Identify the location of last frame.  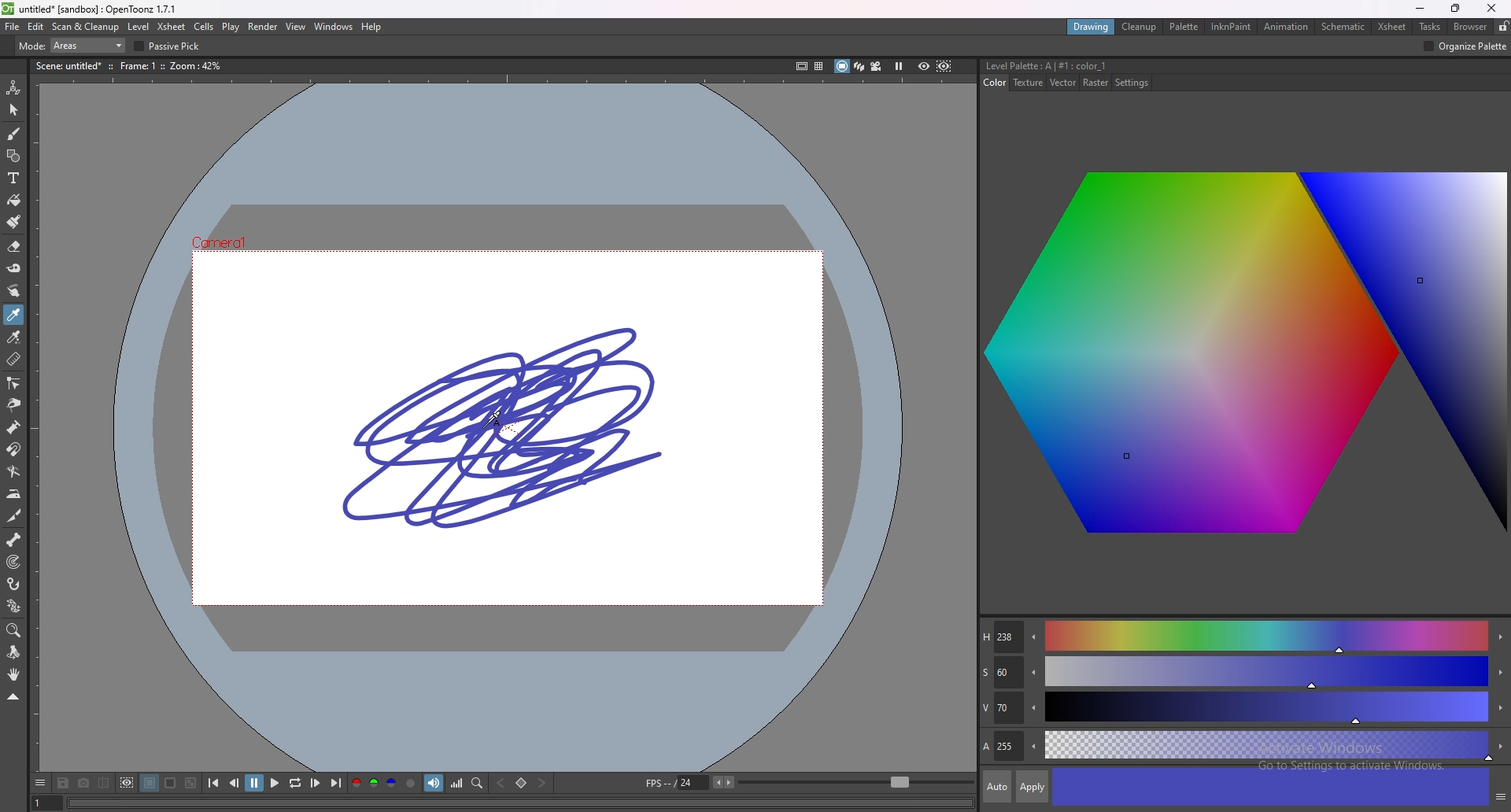
(334, 783).